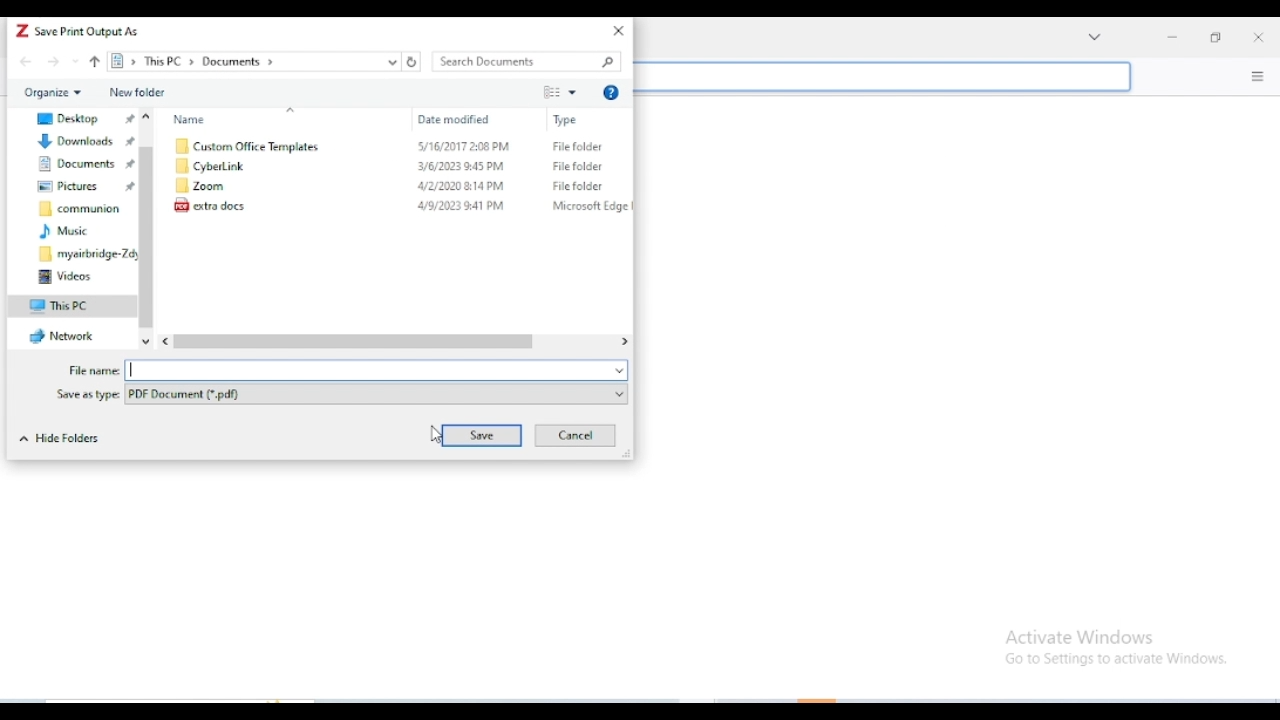 This screenshot has width=1280, height=720. Describe the element at coordinates (94, 372) in the screenshot. I see `File name:` at that location.